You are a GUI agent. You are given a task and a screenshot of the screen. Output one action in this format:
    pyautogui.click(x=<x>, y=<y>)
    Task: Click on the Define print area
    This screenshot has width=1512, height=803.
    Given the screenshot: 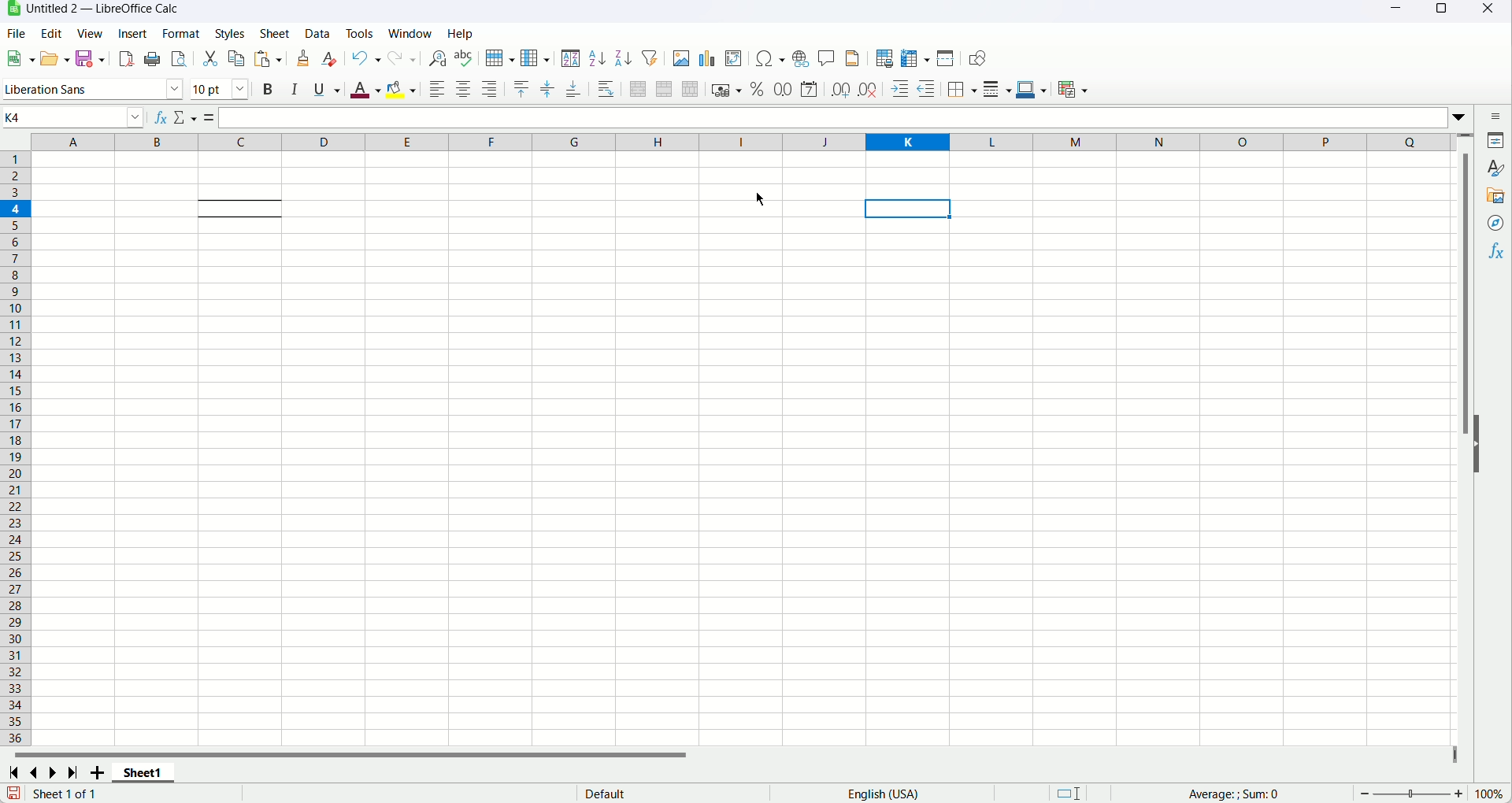 What is the action you would take?
    pyautogui.click(x=884, y=59)
    